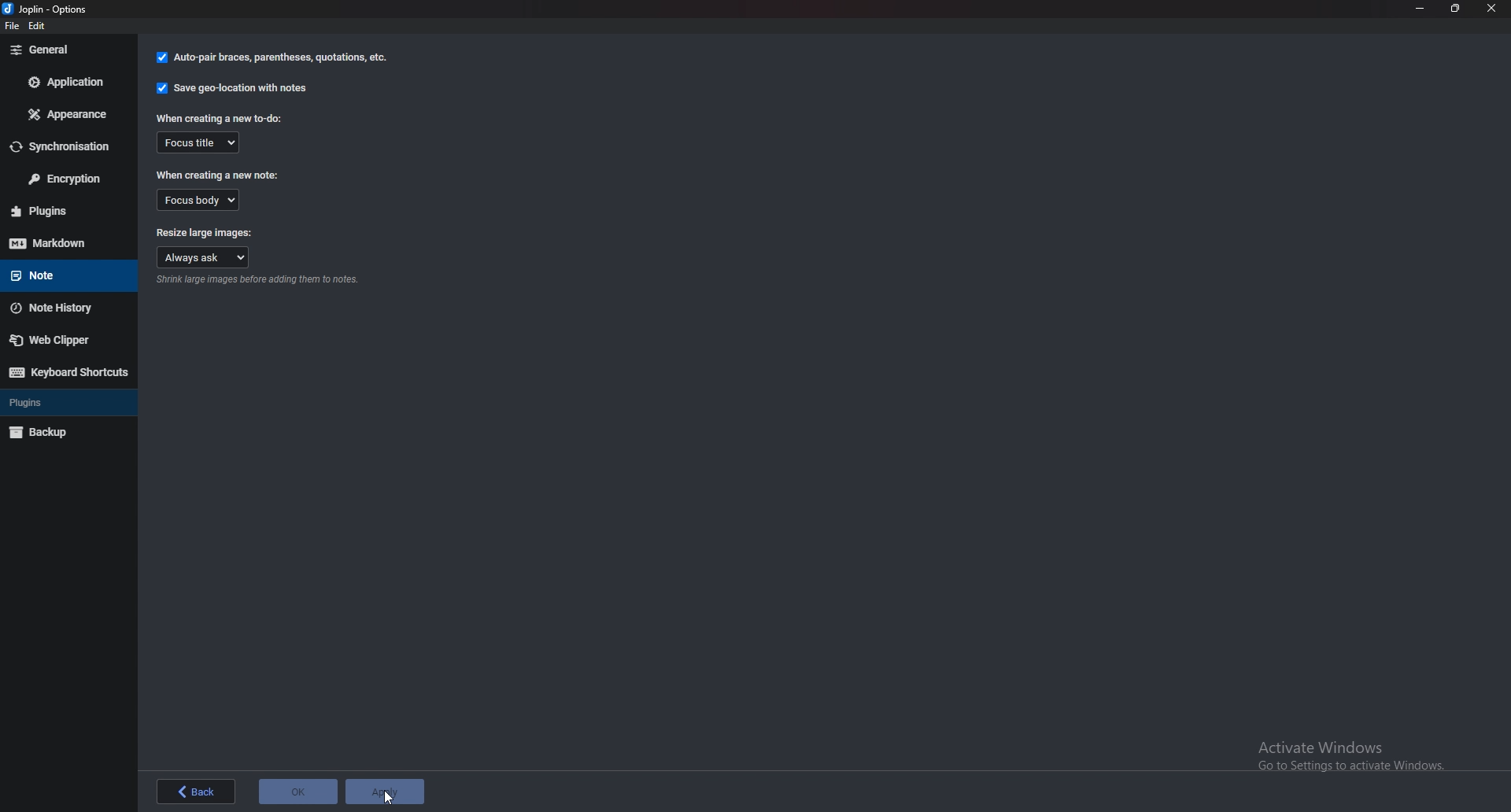 Image resolution: width=1511 pixels, height=812 pixels. Describe the element at coordinates (44, 27) in the screenshot. I see `edit` at that location.